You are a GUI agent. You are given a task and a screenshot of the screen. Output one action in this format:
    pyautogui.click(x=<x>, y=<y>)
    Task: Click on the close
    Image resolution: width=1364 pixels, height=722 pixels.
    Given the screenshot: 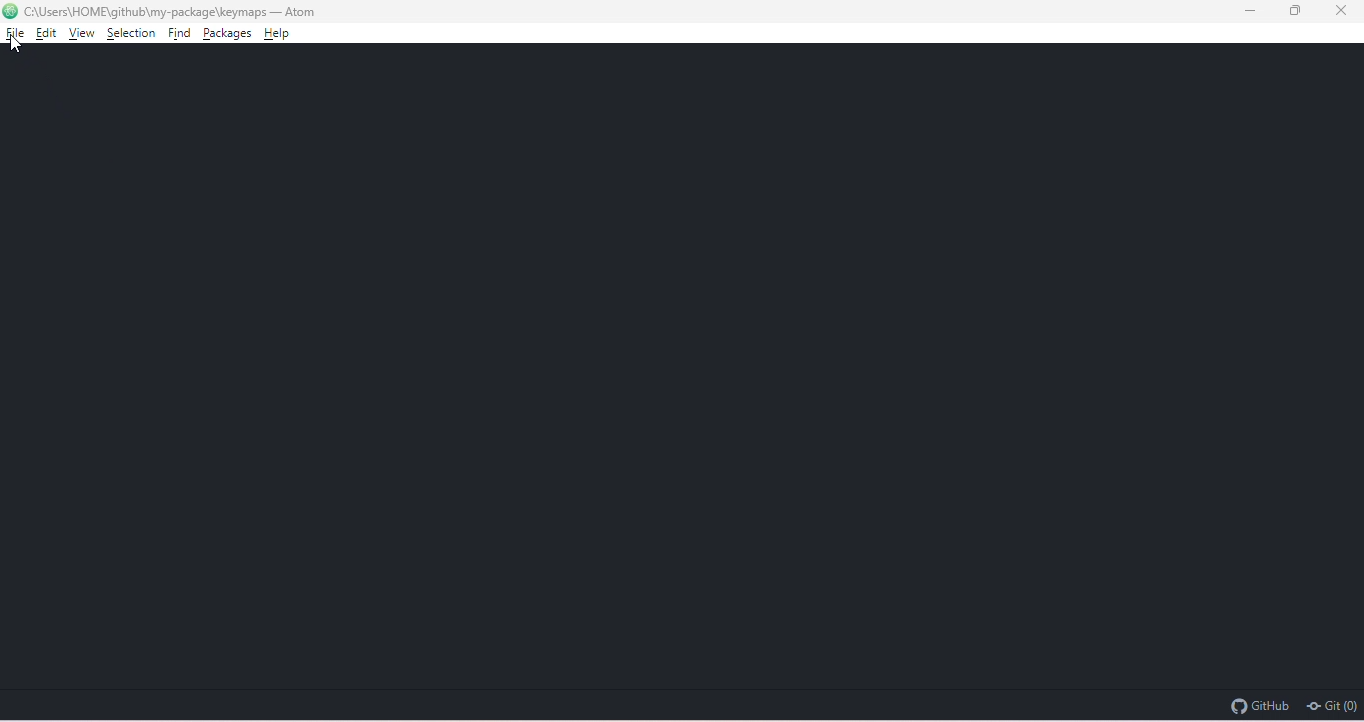 What is the action you would take?
    pyautogui.click(x=1345, y=11)
    